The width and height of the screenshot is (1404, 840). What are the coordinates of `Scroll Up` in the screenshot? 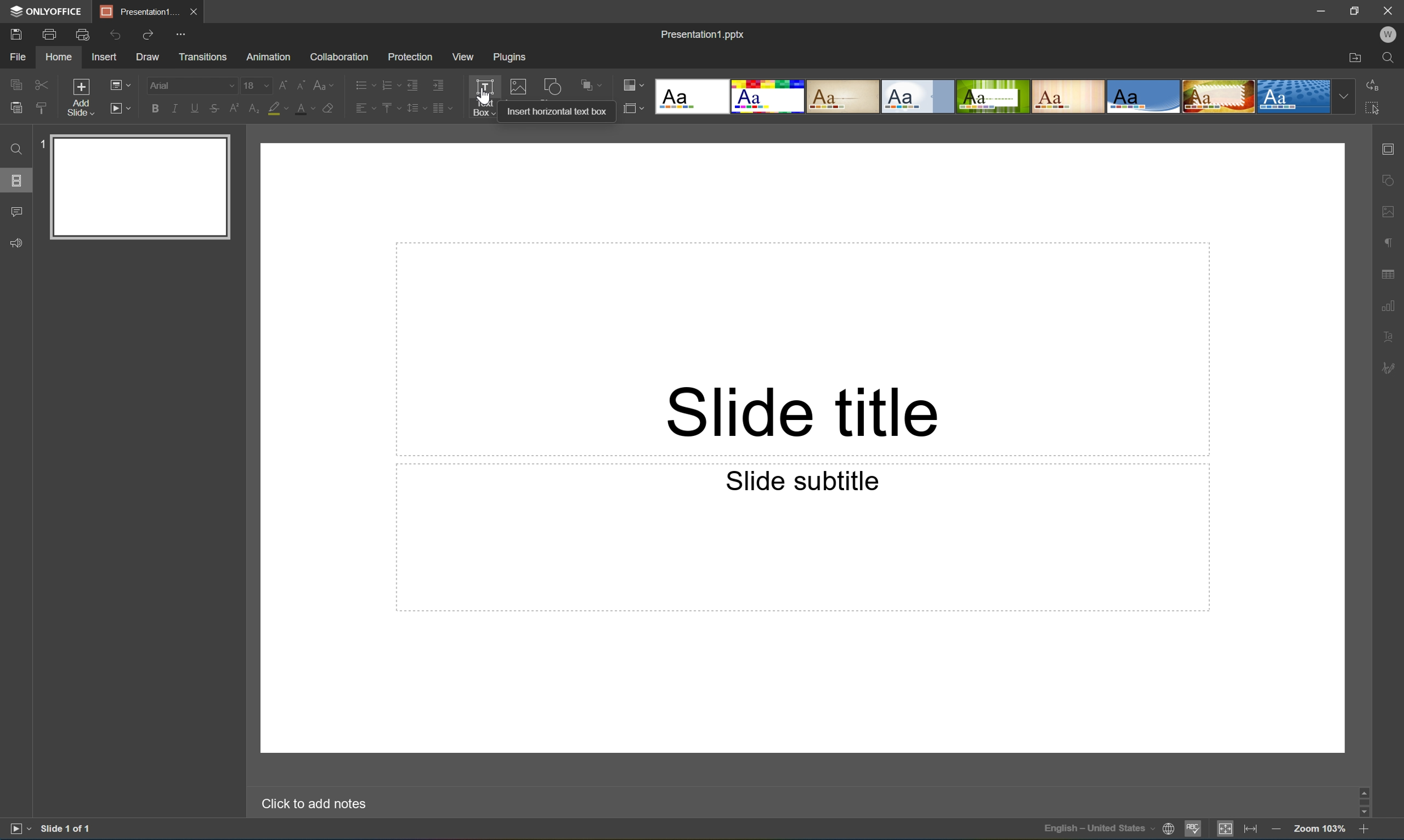 It's located at (1363, 786).